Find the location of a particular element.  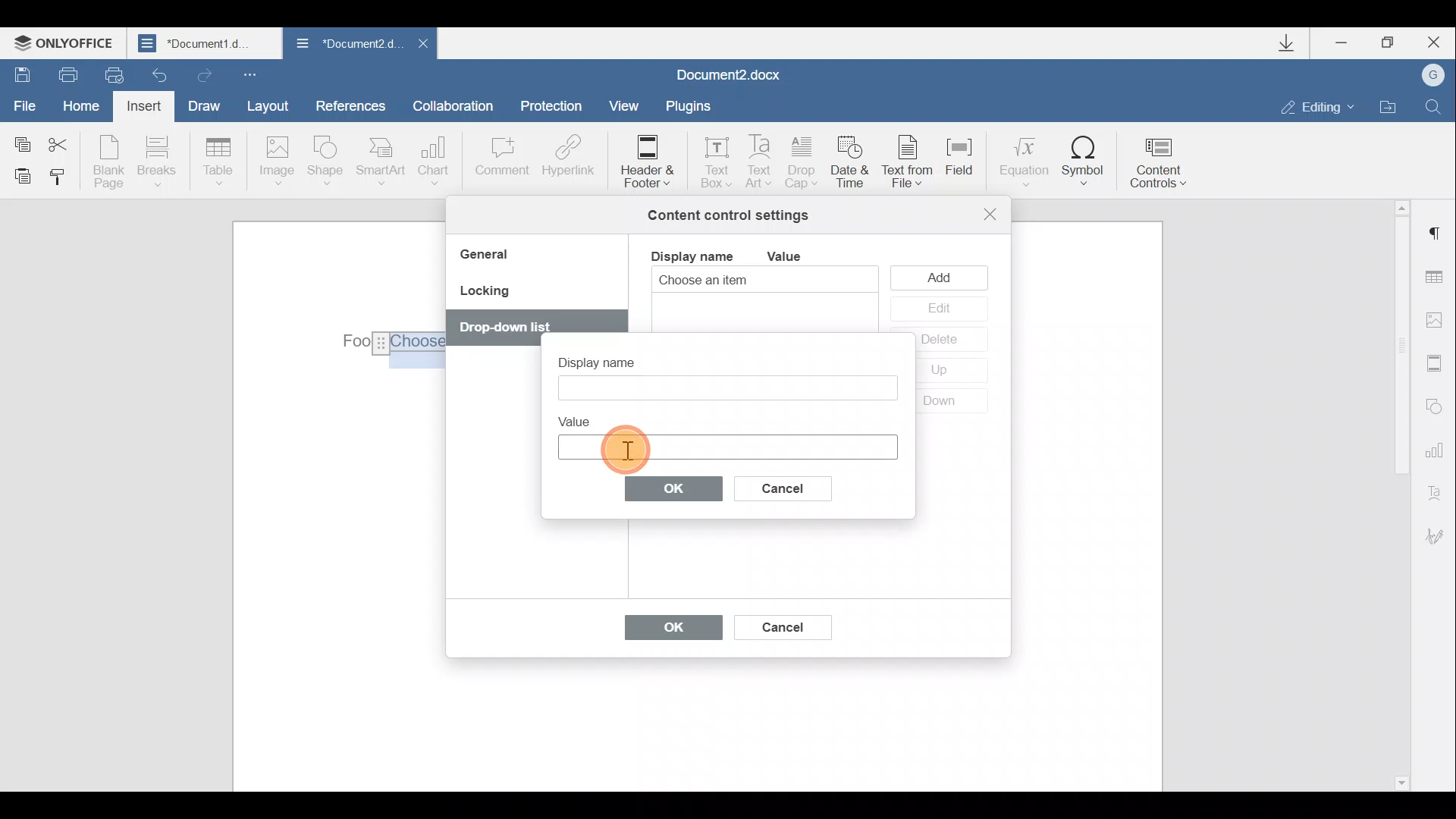

Edit is located at coordinates (938, 309).